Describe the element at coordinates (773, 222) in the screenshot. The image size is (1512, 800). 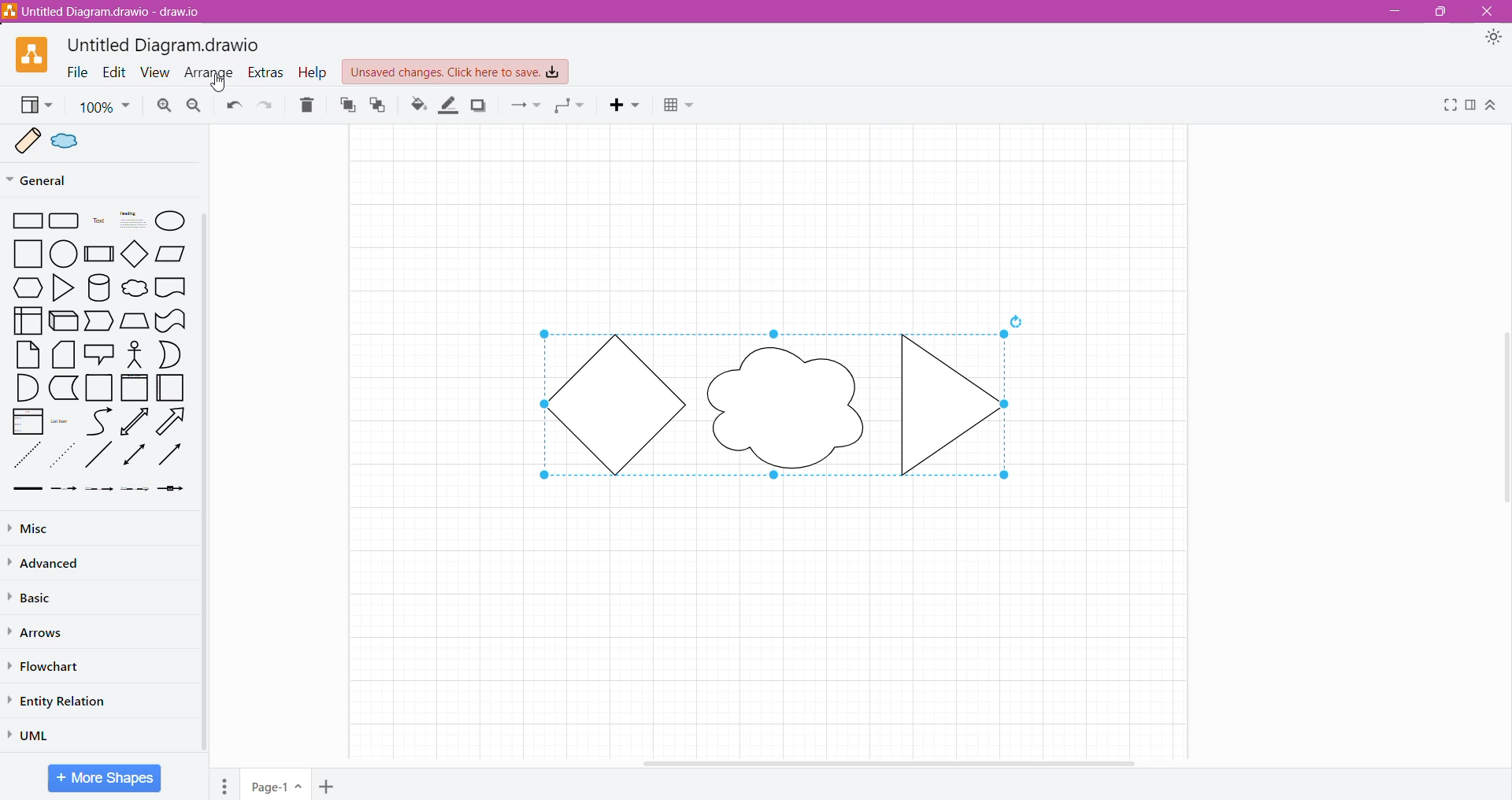
I see `Canvas area` at that location.